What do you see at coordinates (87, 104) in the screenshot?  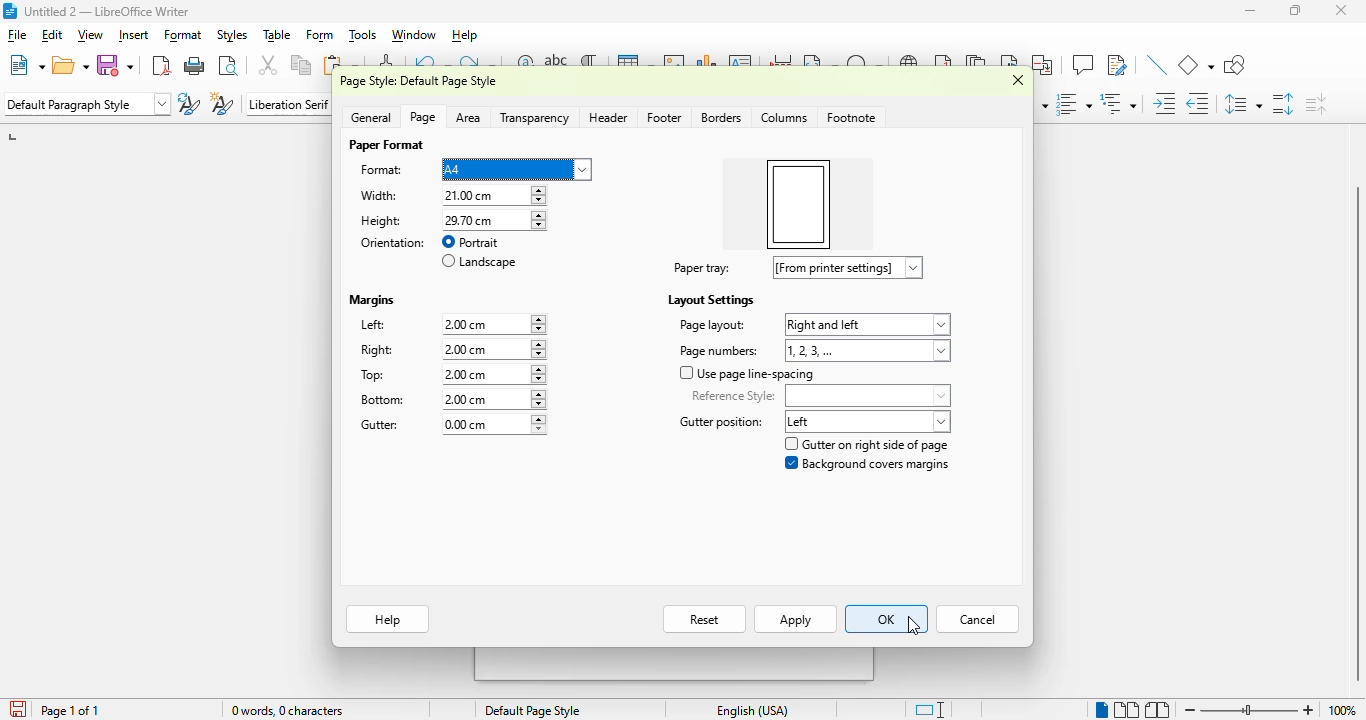 I see `set paragraph style` at bounding box center [87, 104].